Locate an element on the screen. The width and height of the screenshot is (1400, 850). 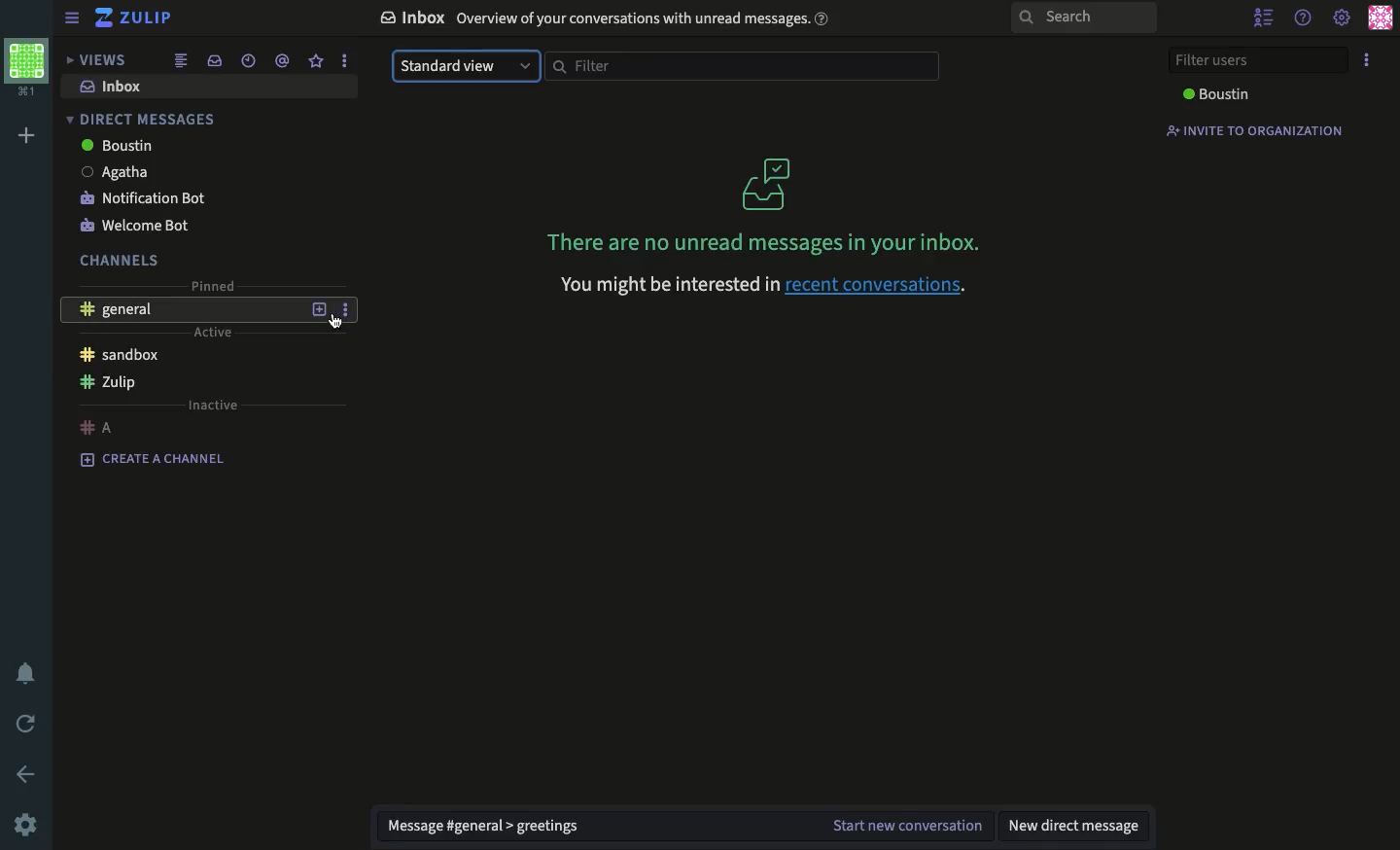
pinned is located at coordinates (214, 286).